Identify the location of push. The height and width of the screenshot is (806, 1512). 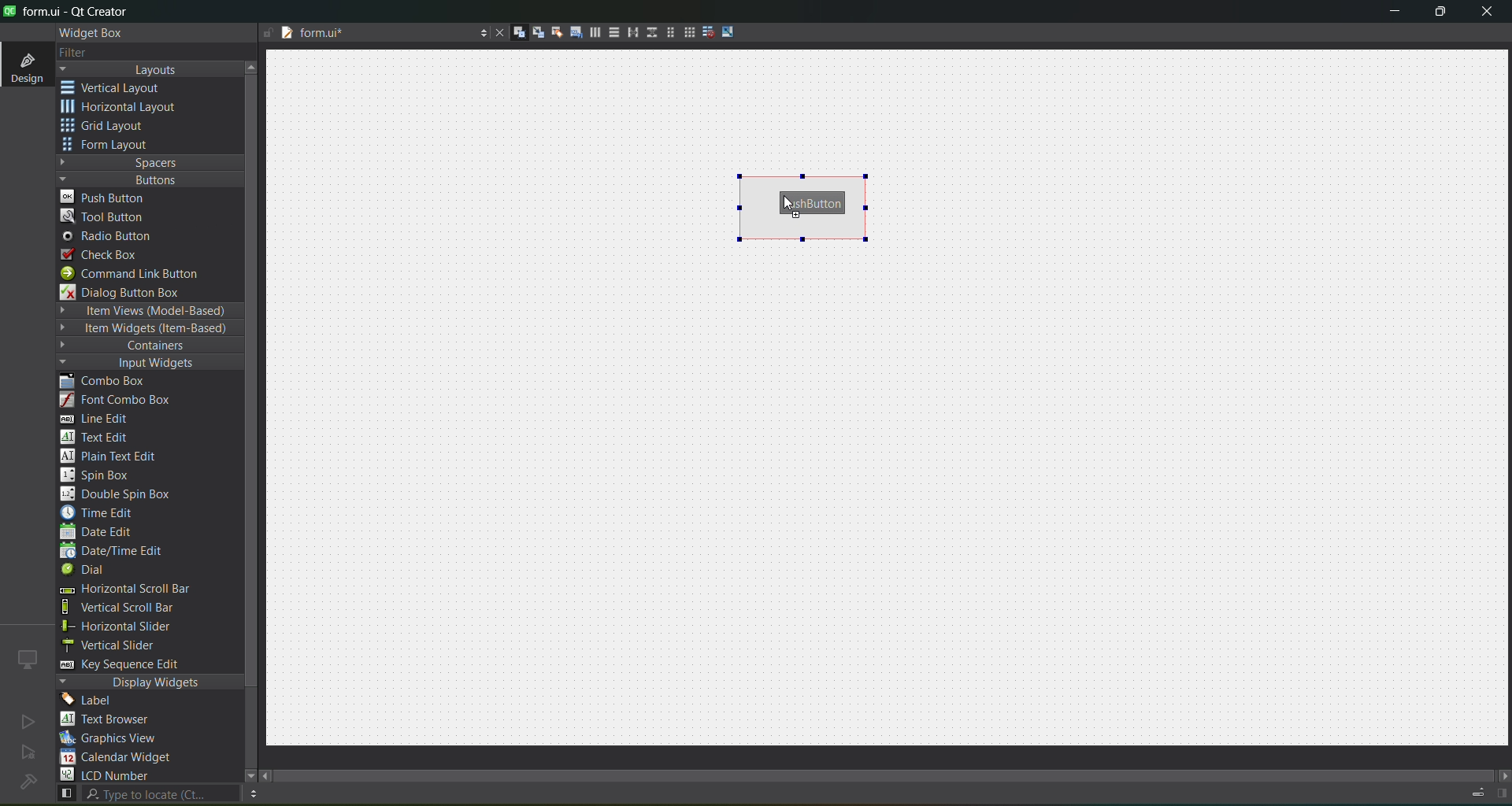
(105, 196).